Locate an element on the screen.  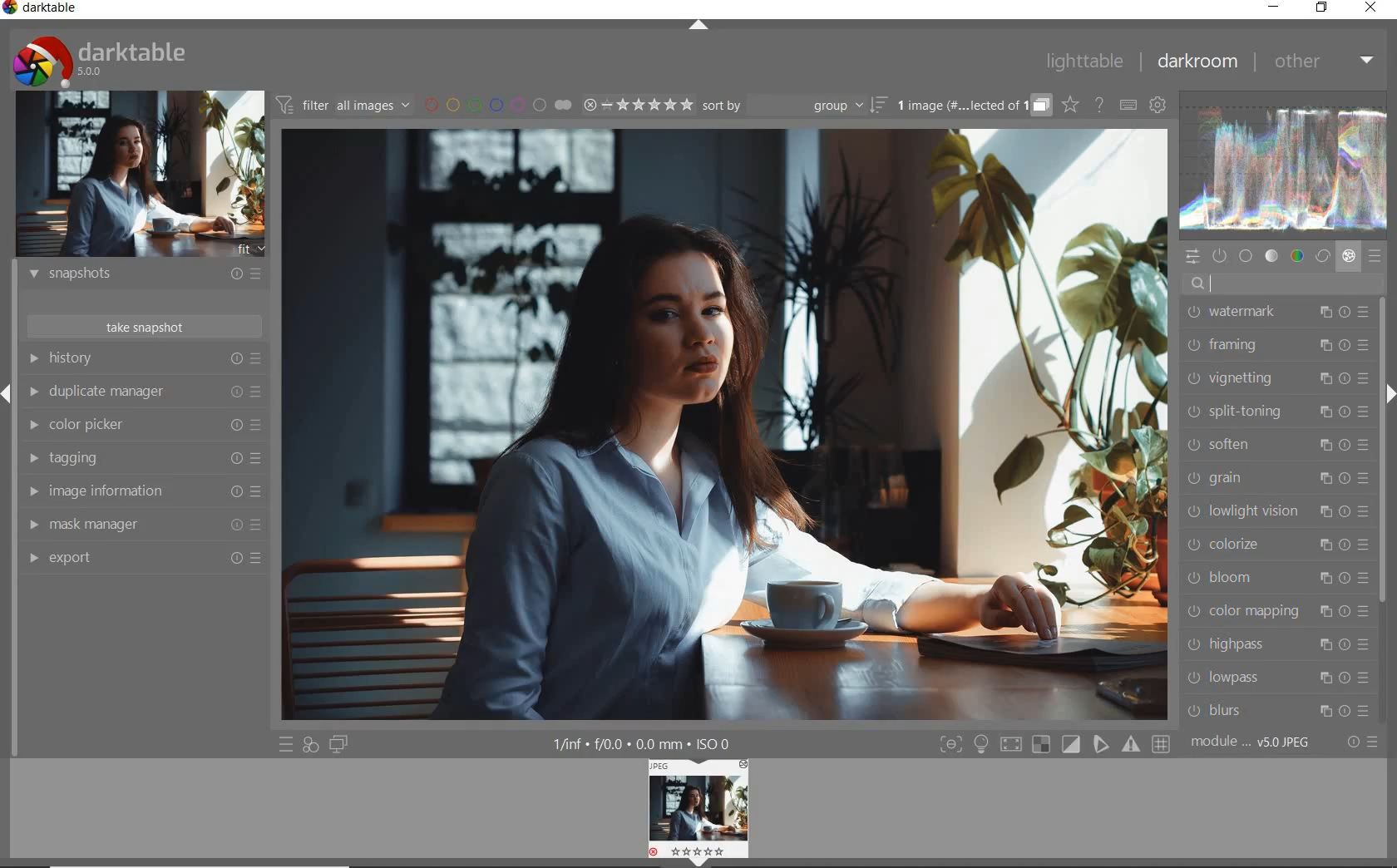
image information is located at coordinates (143, 492).